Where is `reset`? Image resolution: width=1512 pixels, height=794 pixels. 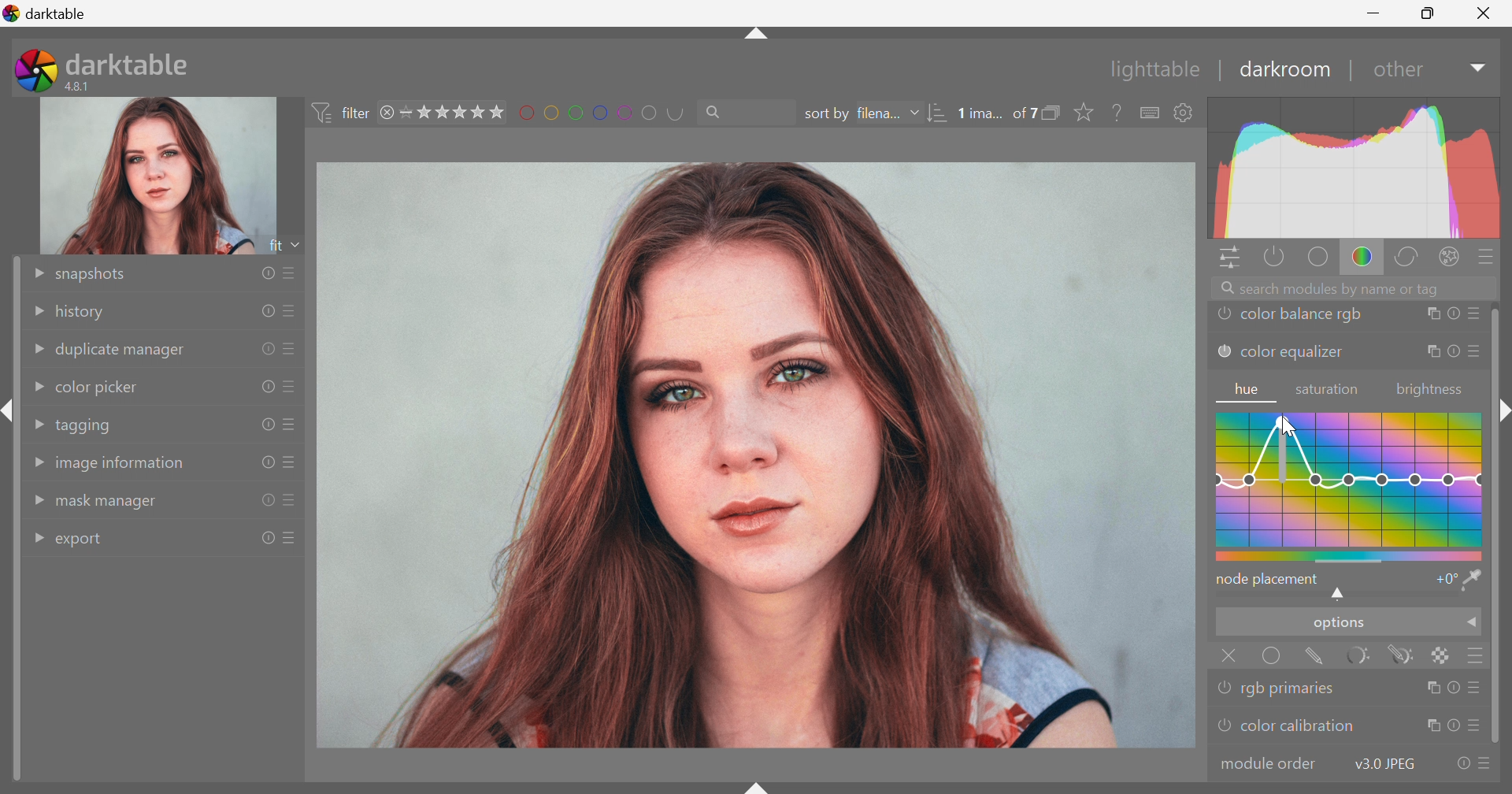
reset is located at coordinates (1454, 687).